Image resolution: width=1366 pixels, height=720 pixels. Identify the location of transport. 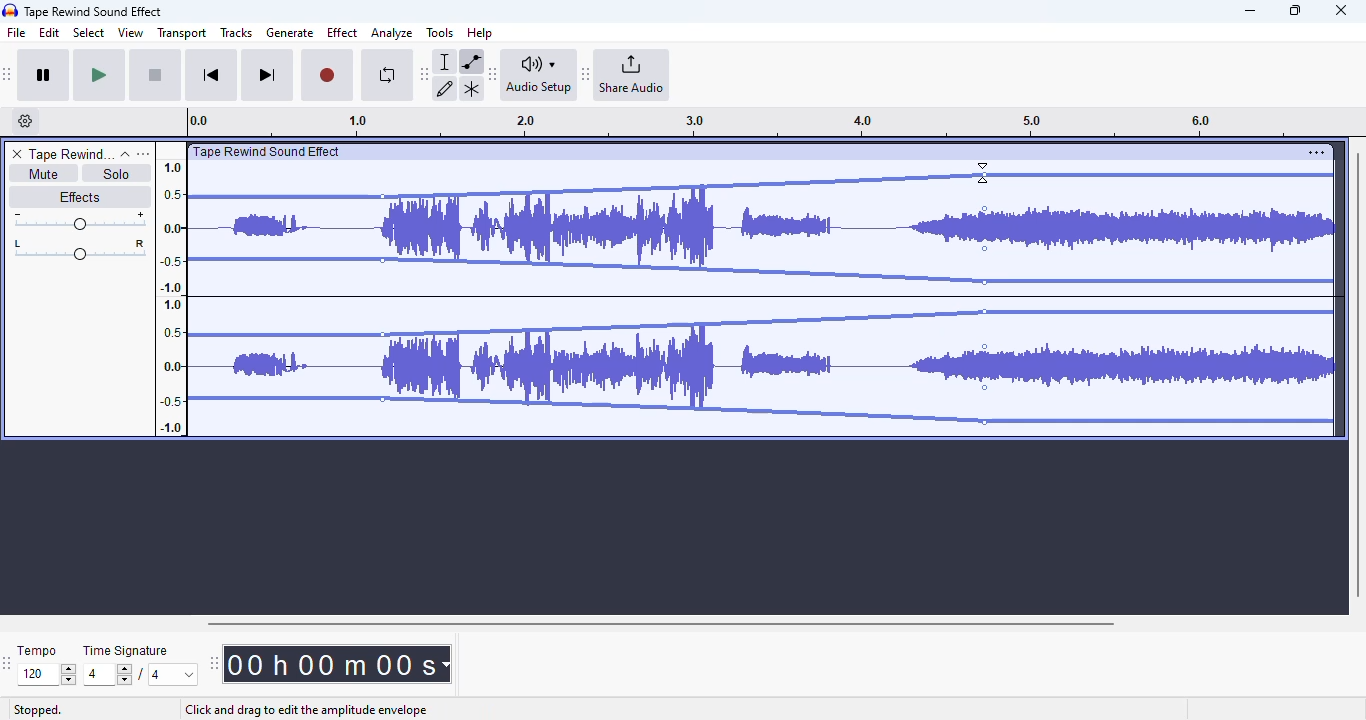
(183, 33).